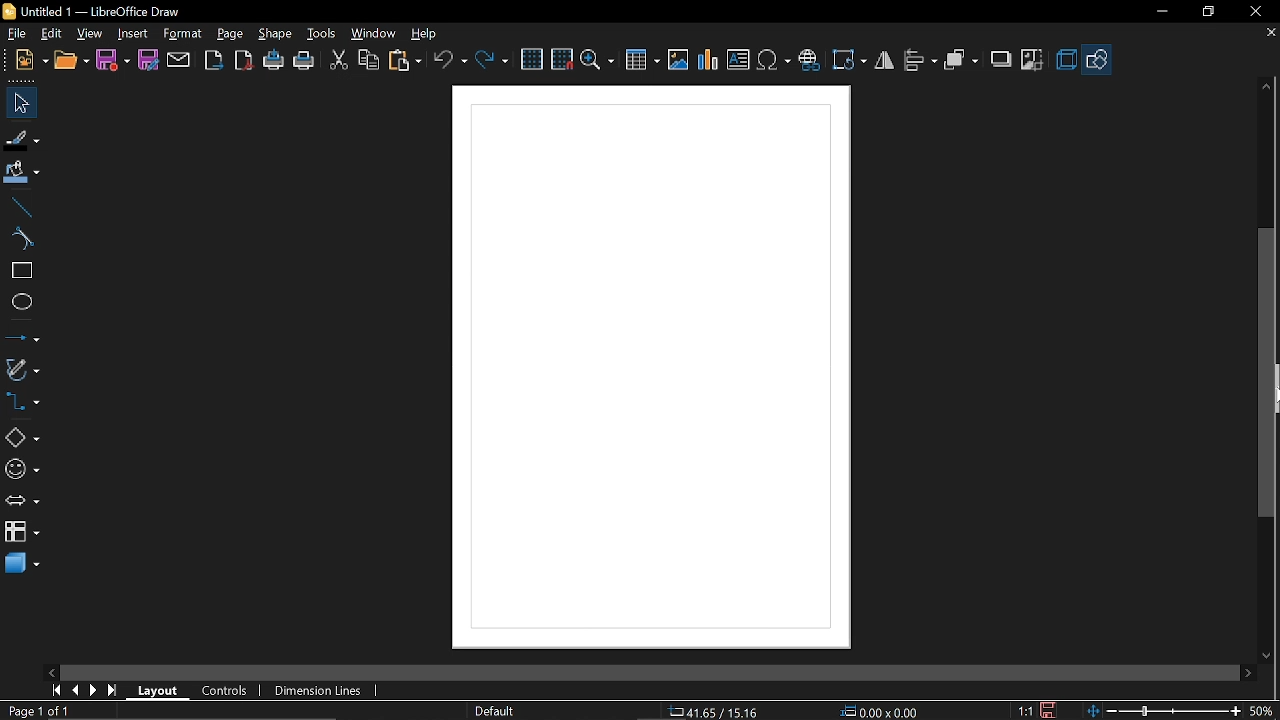 Image resolution: width=1280 pixels, height=720 pixels. Describe the element at coordinates (1065, 60) in the screenshot. I see `3d effect` at that location.